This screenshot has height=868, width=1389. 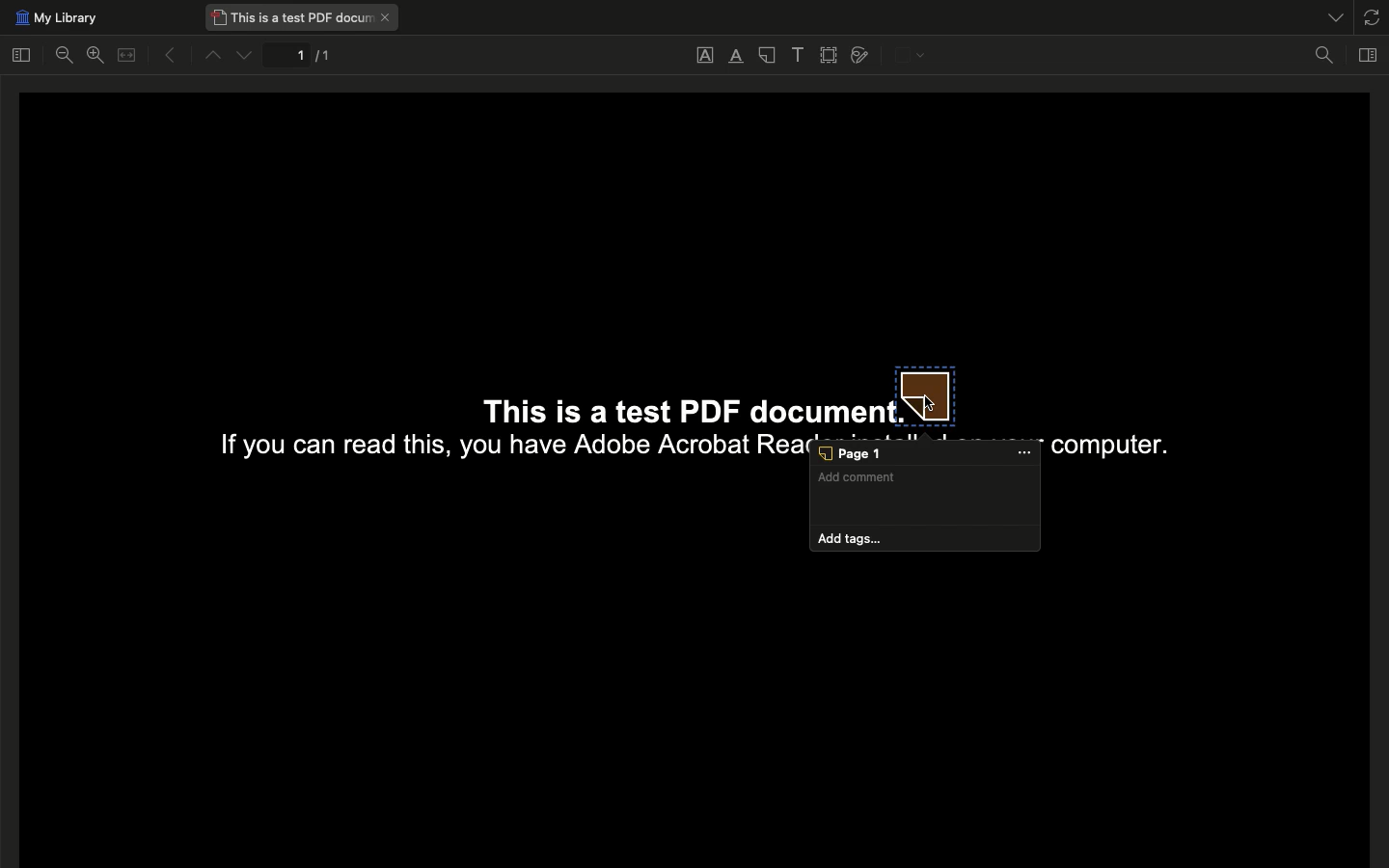 What do you see at coordinates (502, 448) in the screenshot?
I see `If you can read this, you have Adobe Acrobat Rea` at bounding box center [502, 448].